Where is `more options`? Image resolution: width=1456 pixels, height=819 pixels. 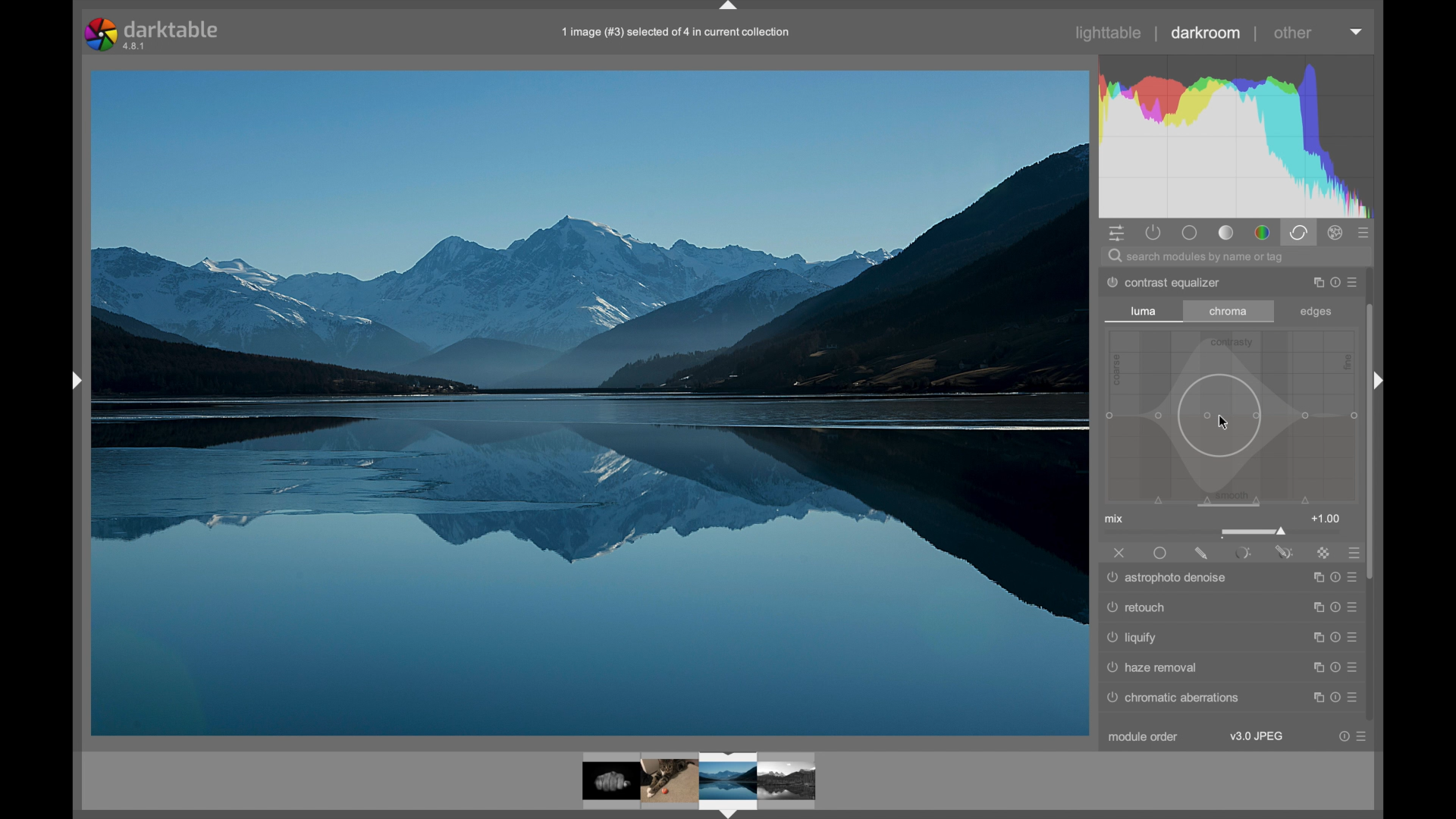
more options is located at coordinates (1333, 642).